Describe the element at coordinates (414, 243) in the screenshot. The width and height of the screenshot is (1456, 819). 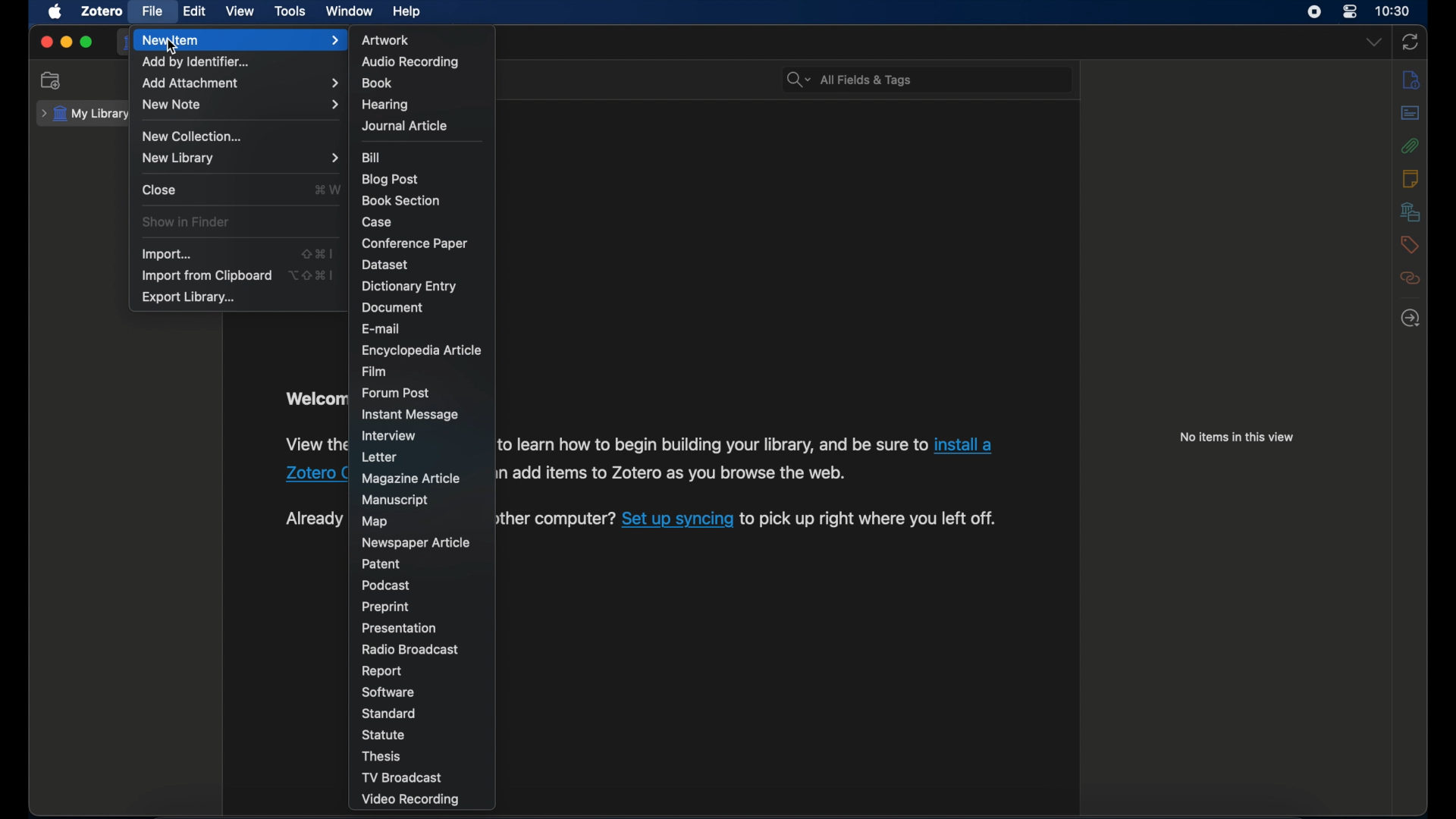
I see `conference paper` at that location.